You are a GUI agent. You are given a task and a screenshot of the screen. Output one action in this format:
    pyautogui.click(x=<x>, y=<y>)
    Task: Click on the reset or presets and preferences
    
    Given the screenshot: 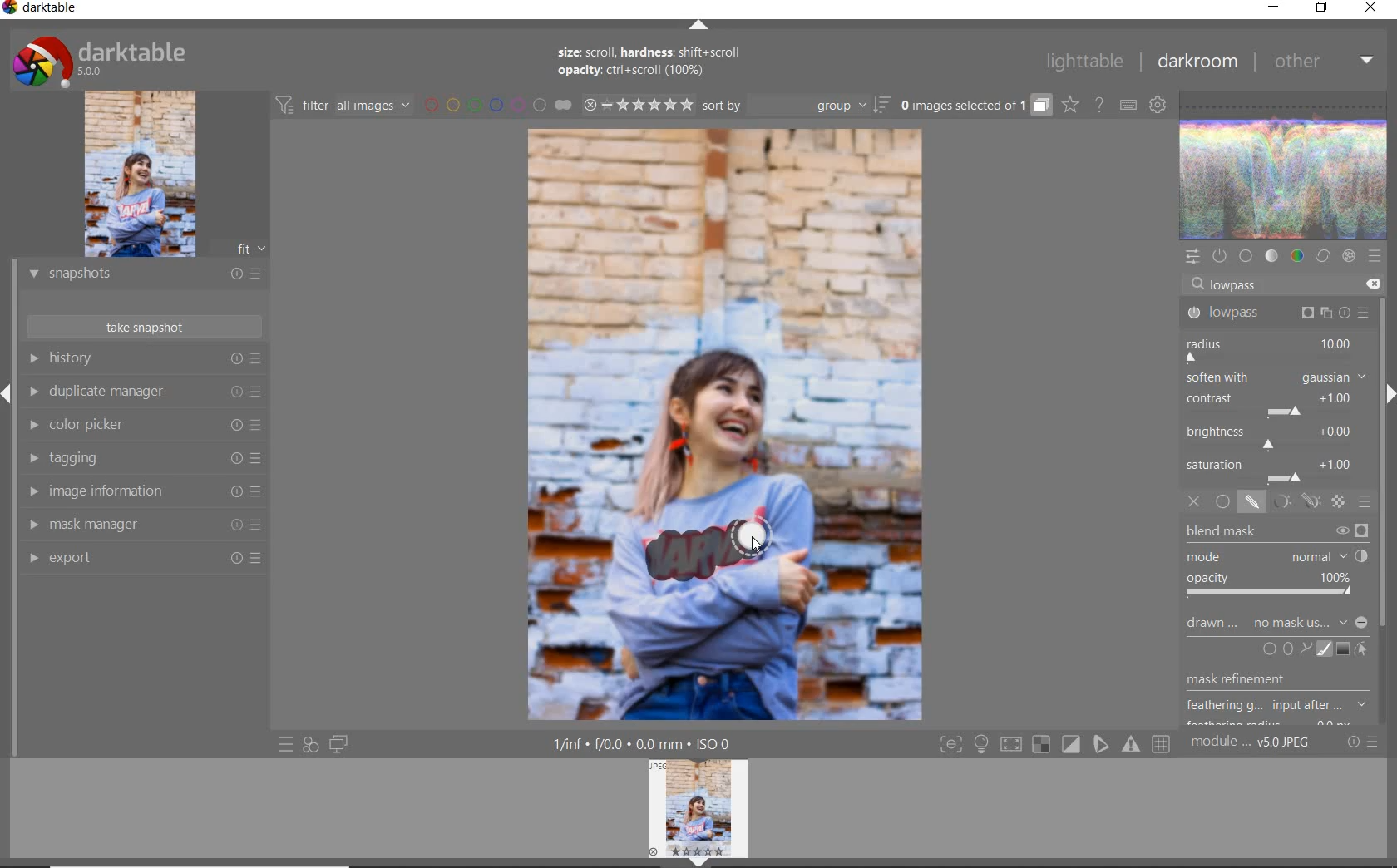 What is the action you would take?
    pyautogui.click(x=1364, y=742)
    